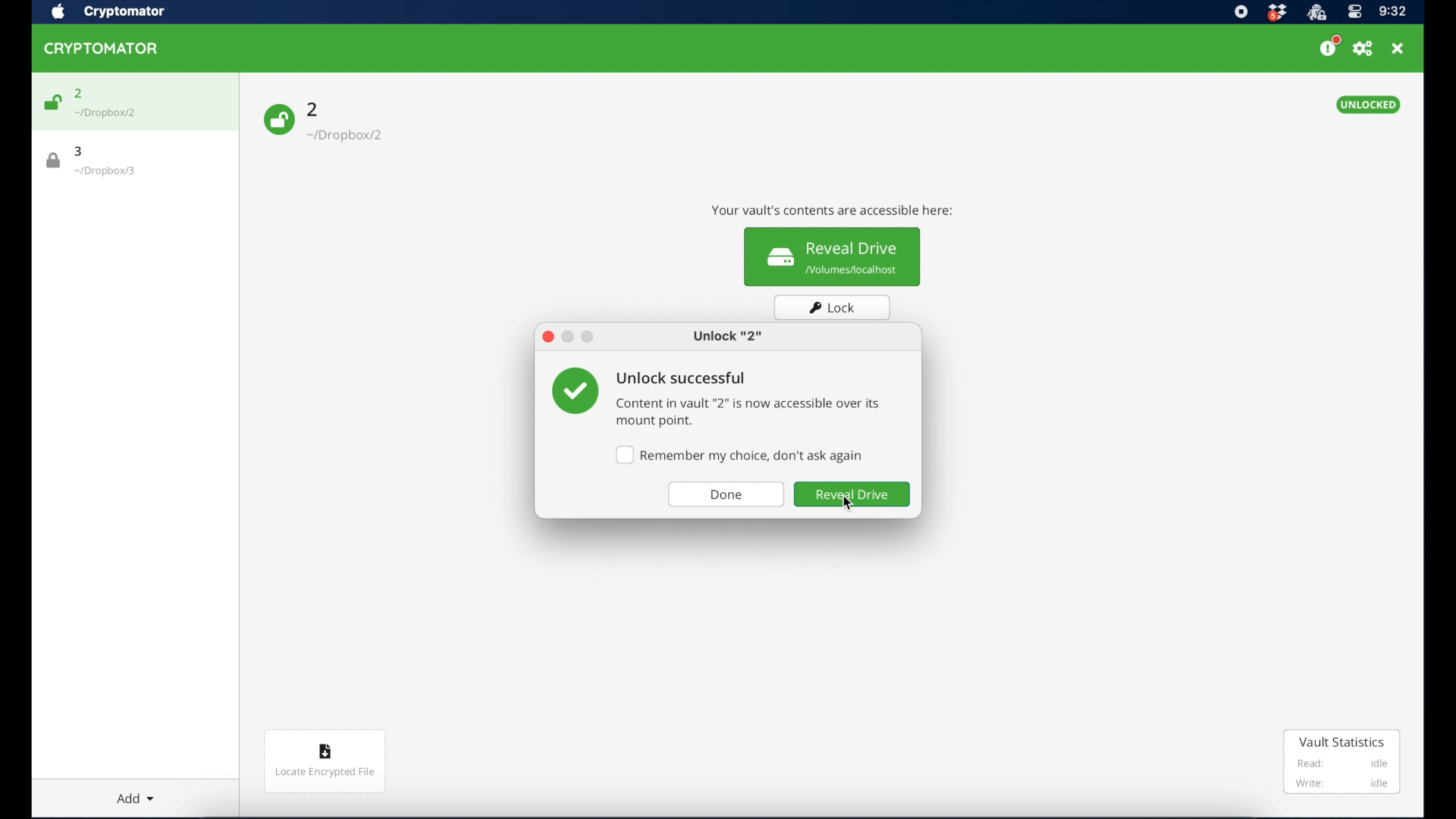 The width and height of the screenshot is (1456, 819). Describe the element at coordinates (833, 308) in the screenshot. I see `lock` at that location.